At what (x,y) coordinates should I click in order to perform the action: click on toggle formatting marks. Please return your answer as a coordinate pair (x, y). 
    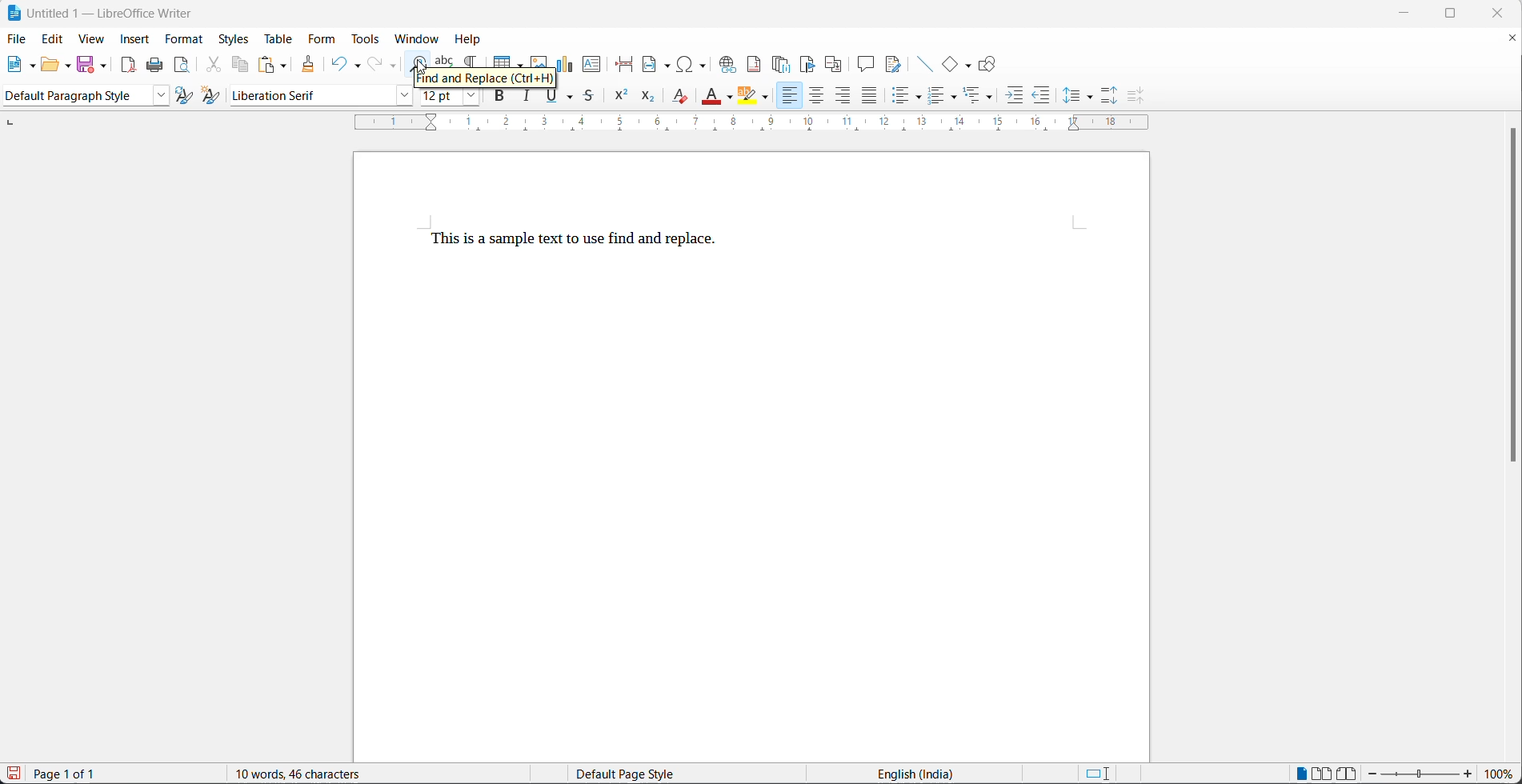
    Looking at the image, I should click on (475, 59).